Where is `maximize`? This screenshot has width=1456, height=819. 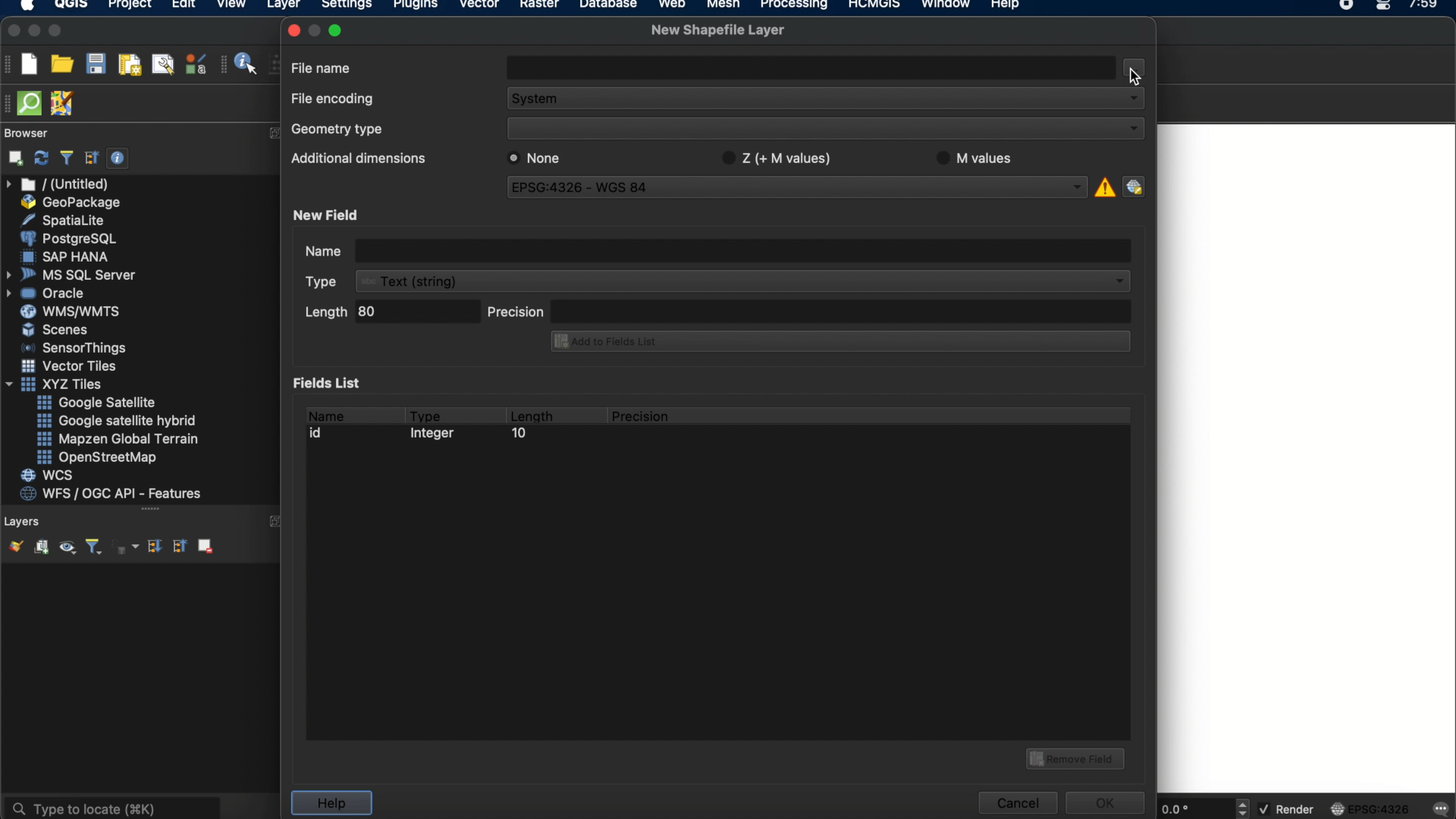 maximize is located at coordinates (56, 32).